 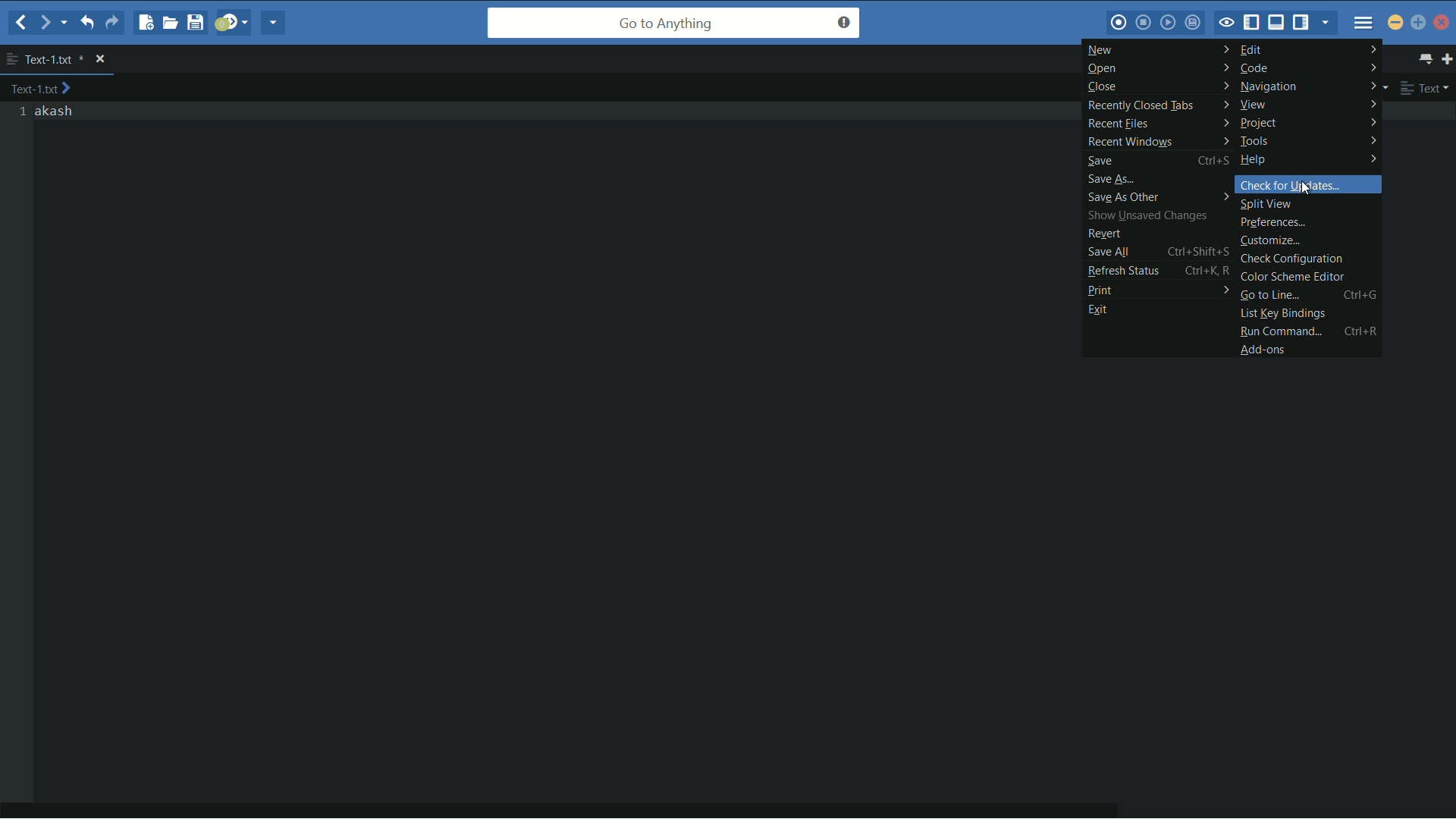 What do you see at coordinates (1307, 121) in the screenshot?
I see `project` at bounding box center [1307, 121].